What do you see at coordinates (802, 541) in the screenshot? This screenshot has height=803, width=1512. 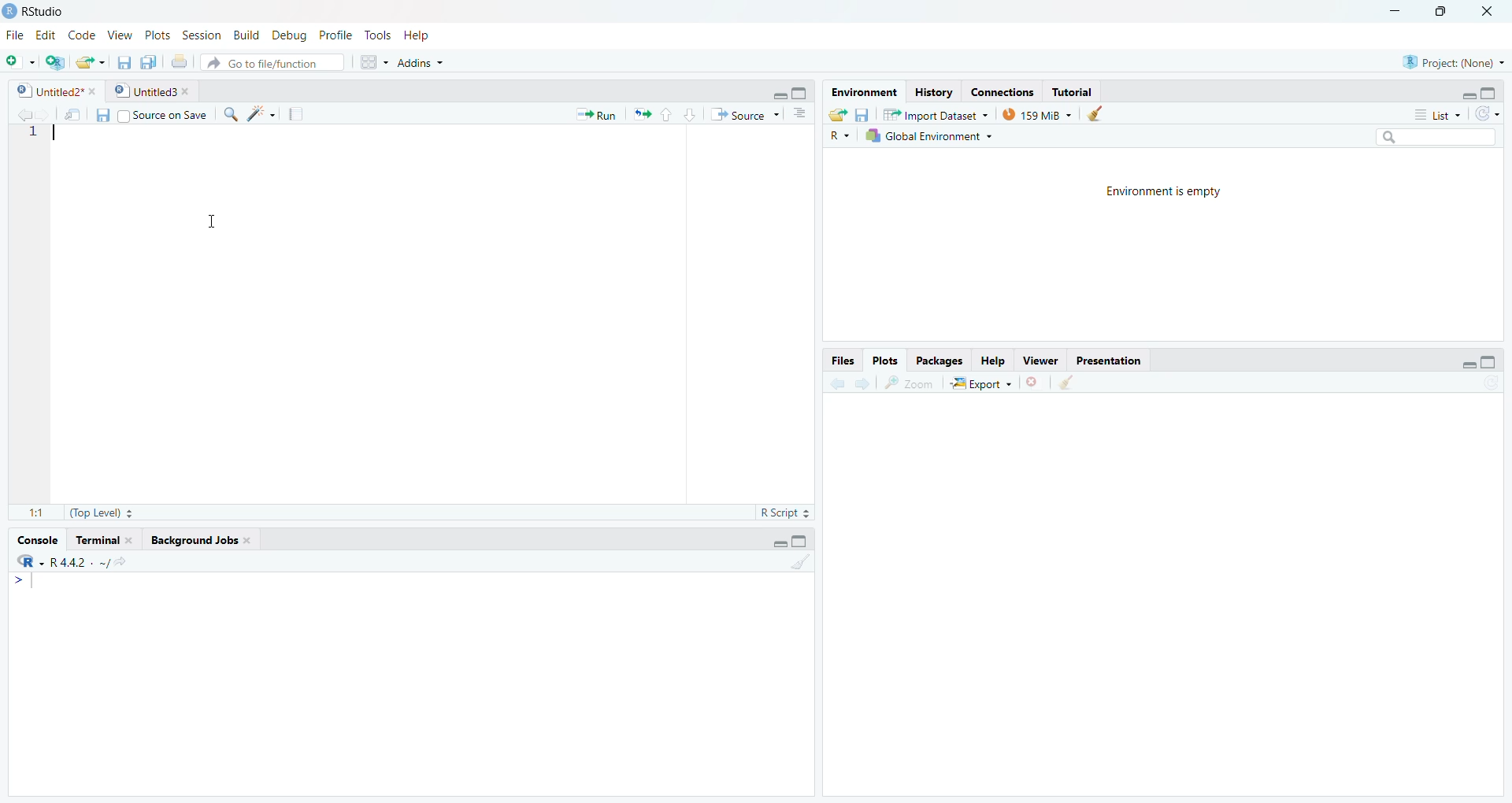 I see `Maximize` at bounding box center [802, 541].